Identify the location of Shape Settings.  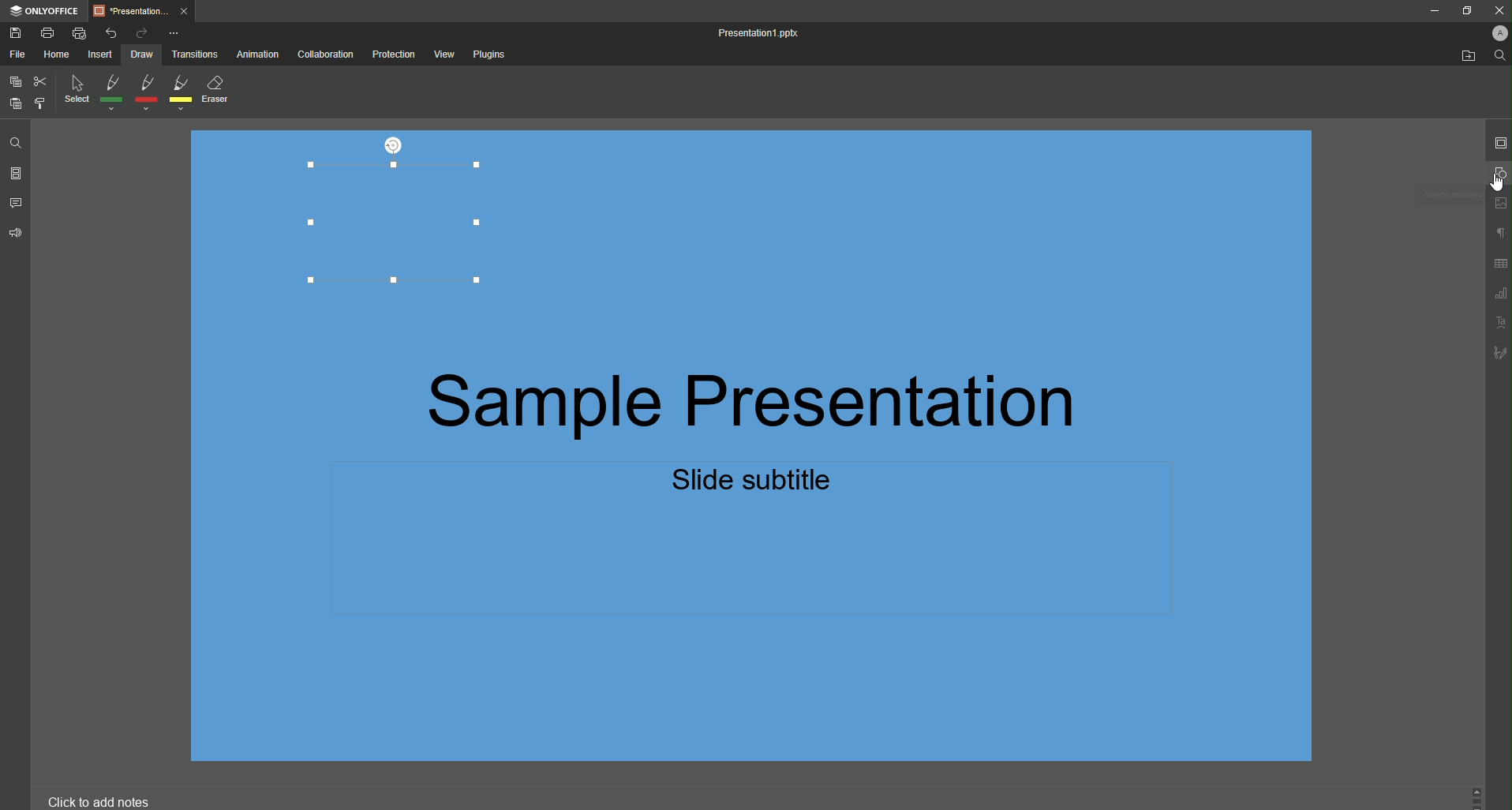
(1497, 173).